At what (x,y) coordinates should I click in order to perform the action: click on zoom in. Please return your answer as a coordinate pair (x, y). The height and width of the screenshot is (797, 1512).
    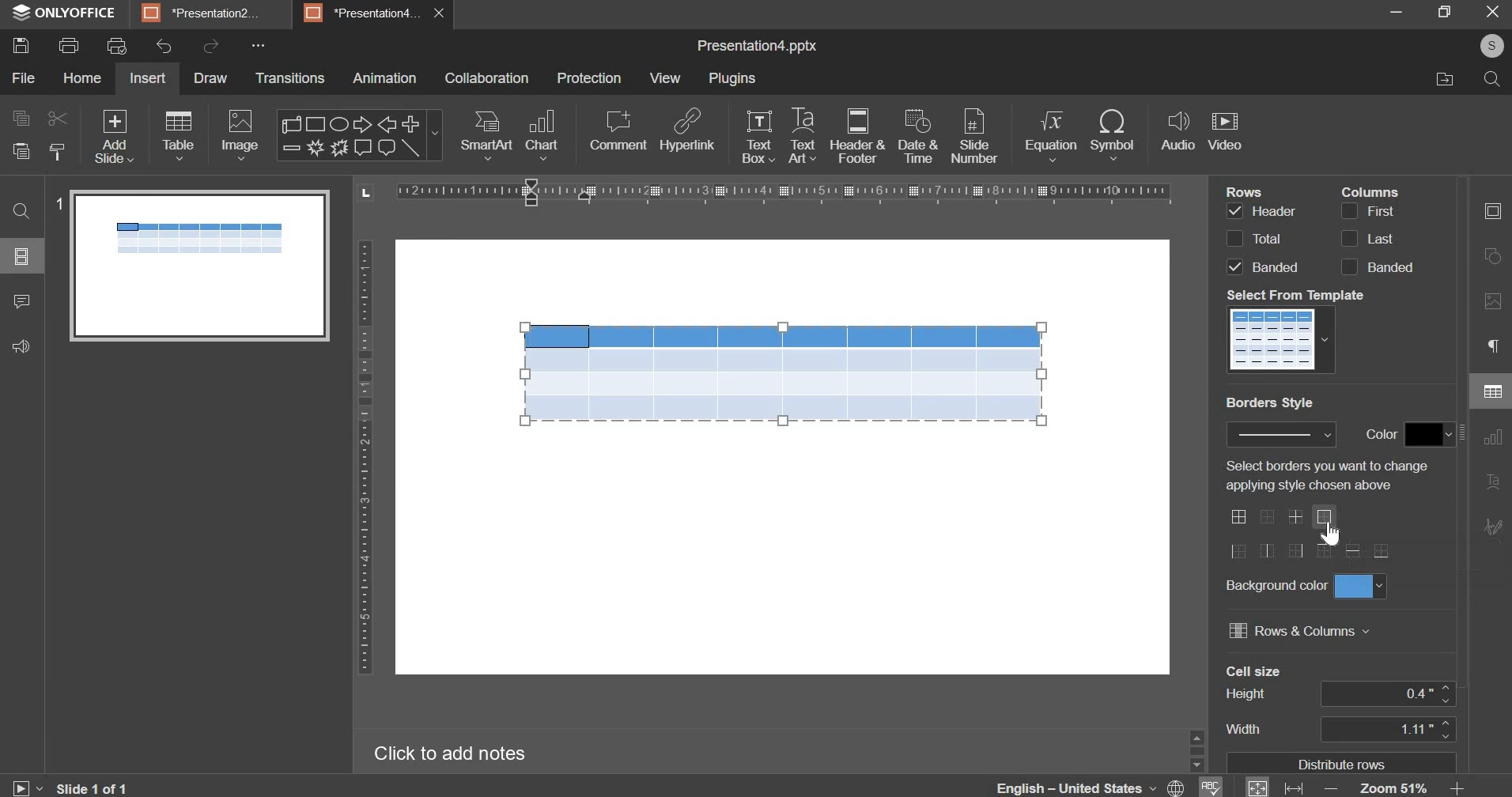
    Looking at the image, I should click on (1457, 788).